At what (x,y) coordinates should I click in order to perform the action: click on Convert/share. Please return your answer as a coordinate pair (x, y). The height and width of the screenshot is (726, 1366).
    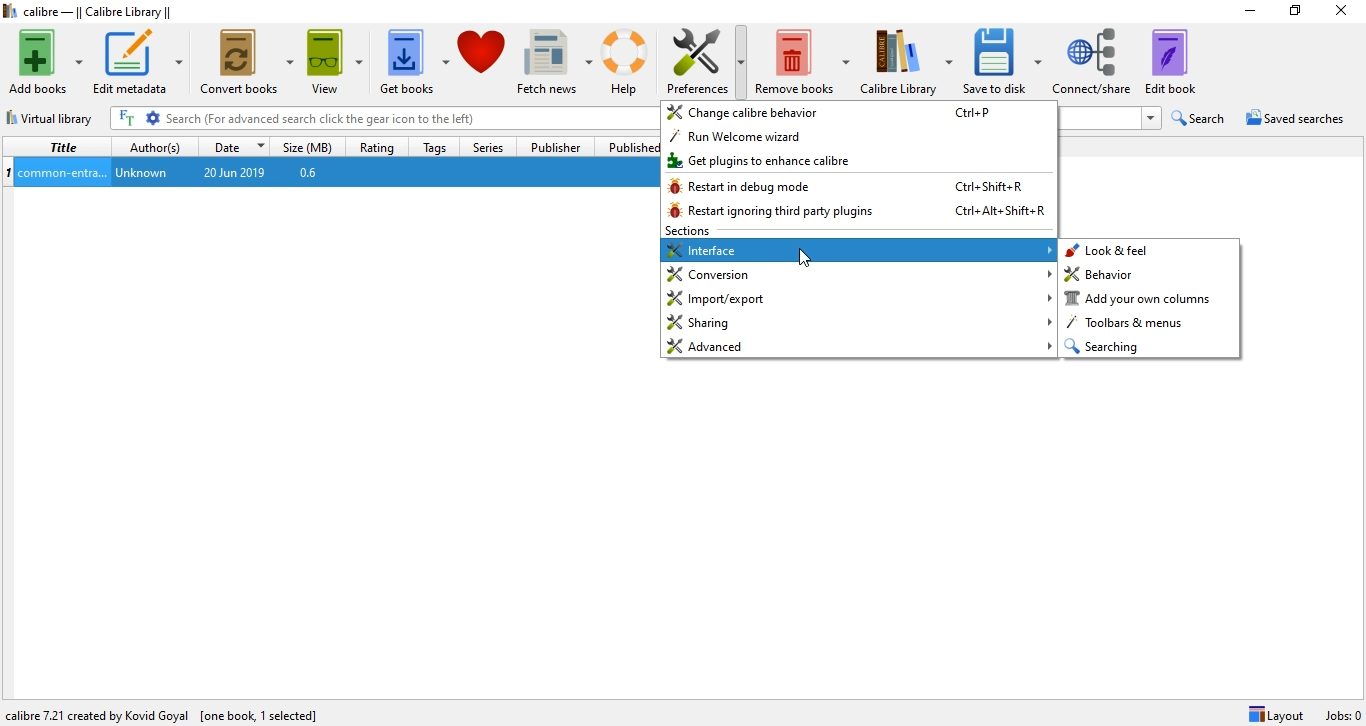
    Looking at the image, I should click on (1095, 59).